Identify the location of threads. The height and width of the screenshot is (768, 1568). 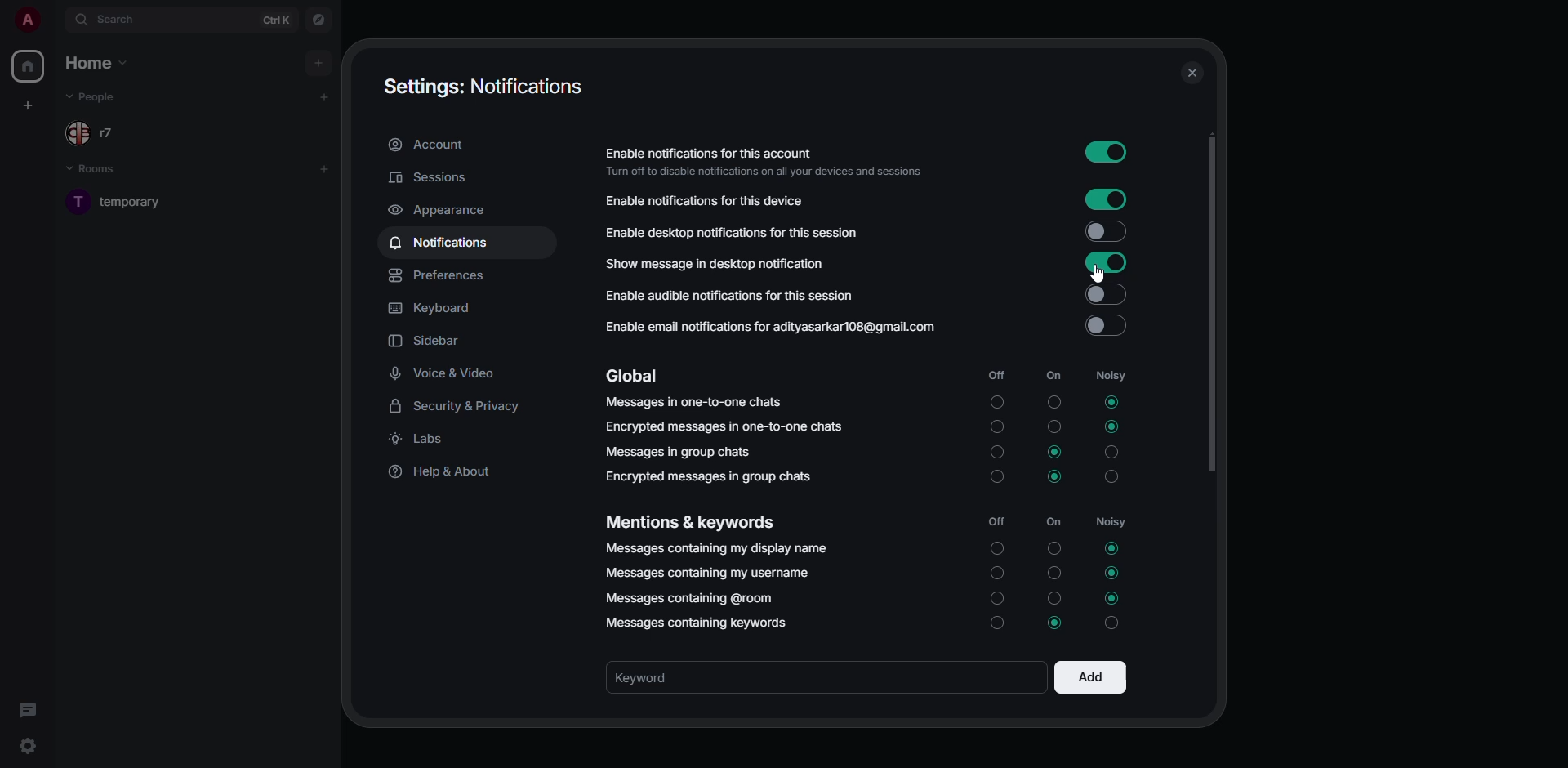
(27, 709).